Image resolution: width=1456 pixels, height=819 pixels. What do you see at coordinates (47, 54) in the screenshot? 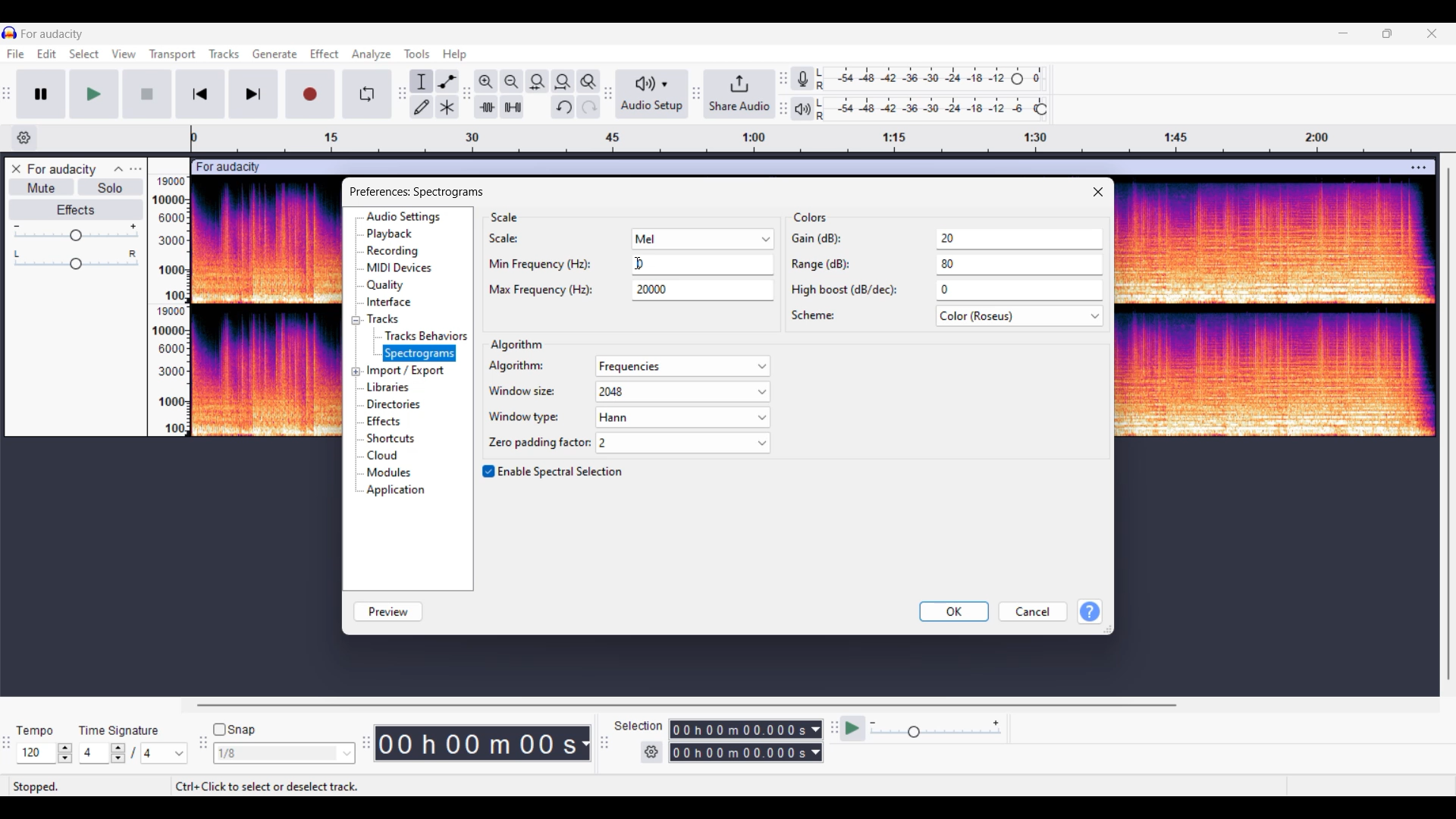
I see `Edit menu` at bounding box center [47, 54].